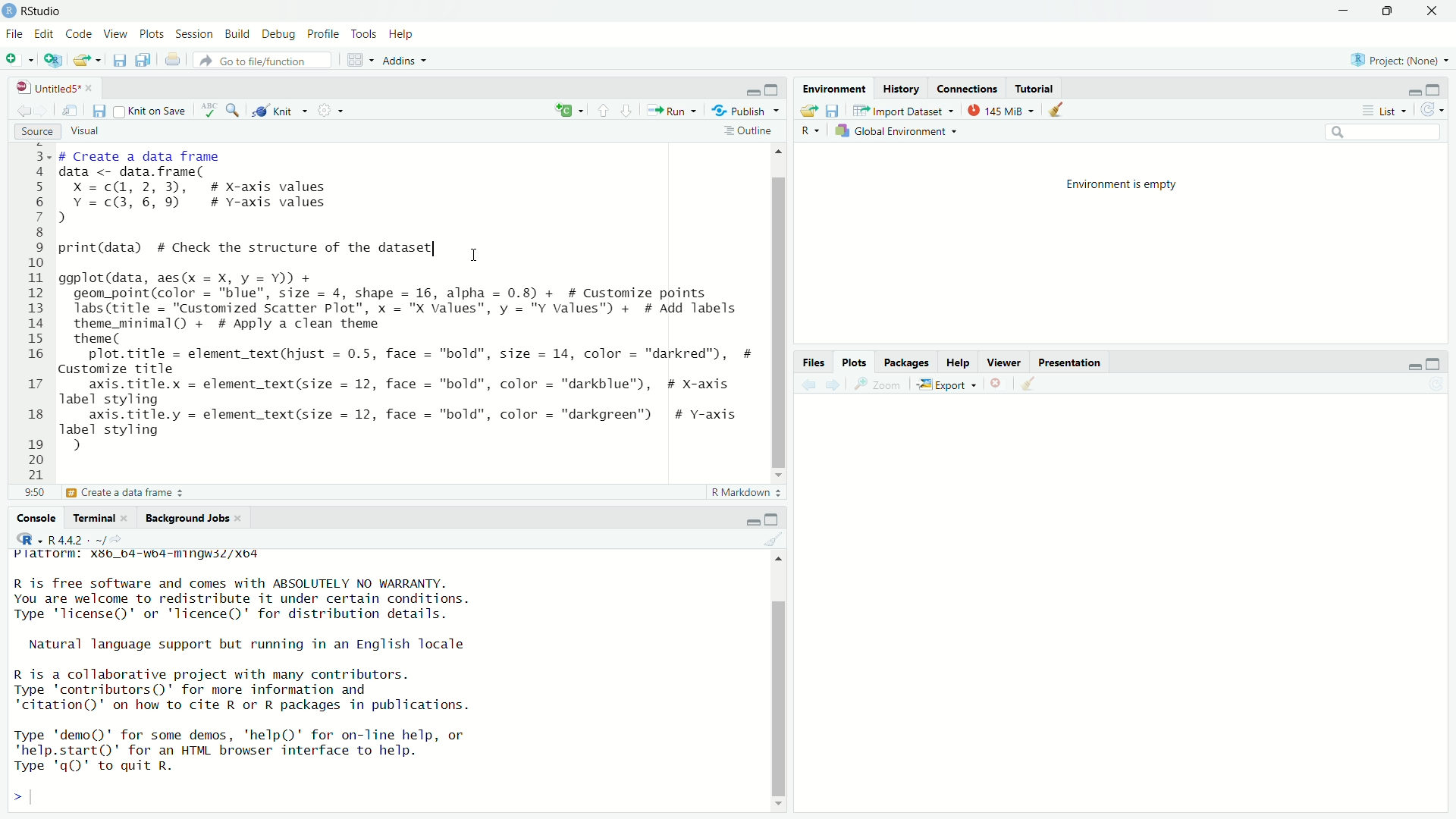 This screenshot has width=1456, height=819. What do you see at coordinates (778, 312) in the screenshot?
I see `Scrollbar ` at bounding box center [778, 312].